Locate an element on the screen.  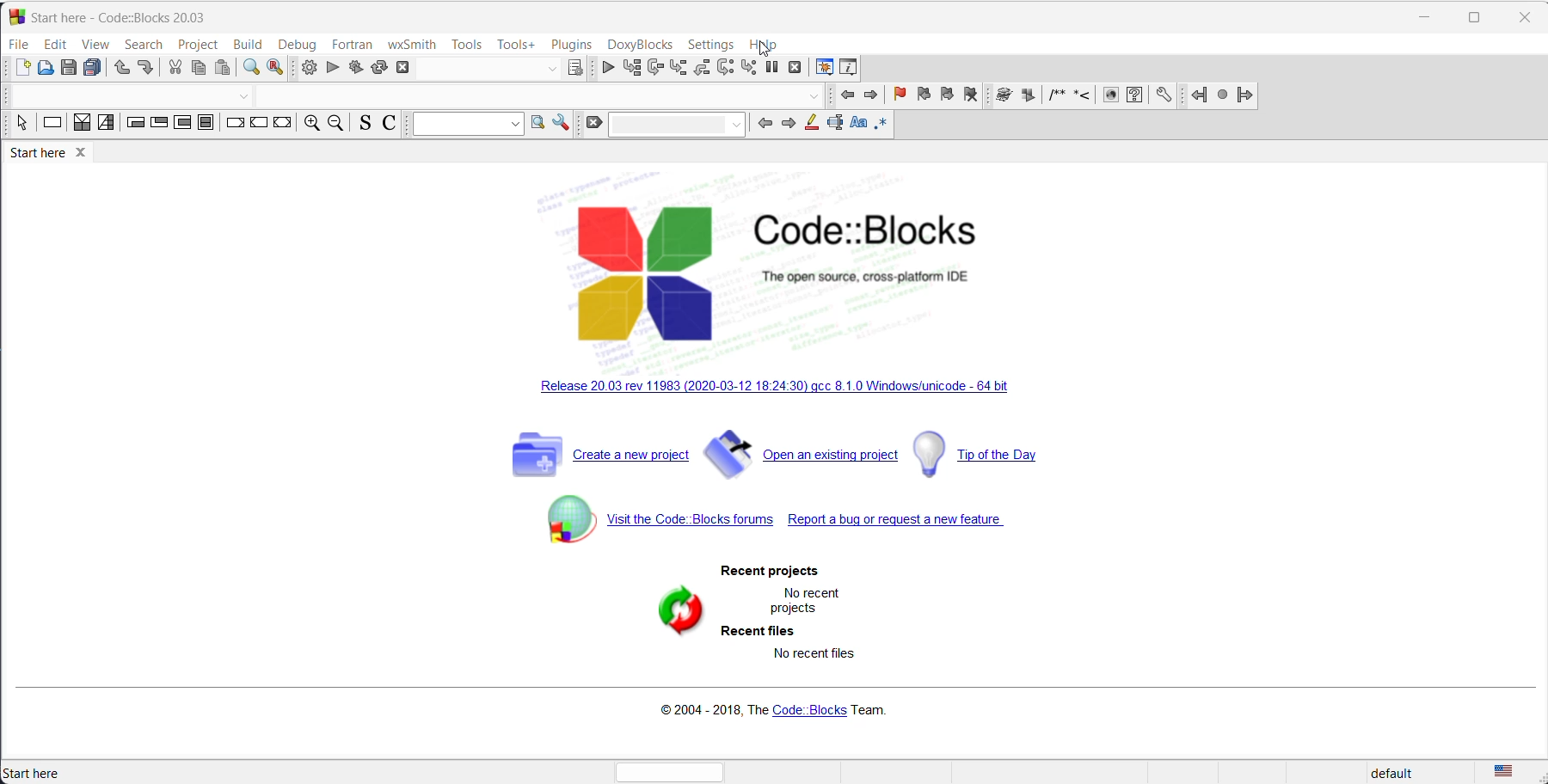
icon is located at coordinates (1110, 96).